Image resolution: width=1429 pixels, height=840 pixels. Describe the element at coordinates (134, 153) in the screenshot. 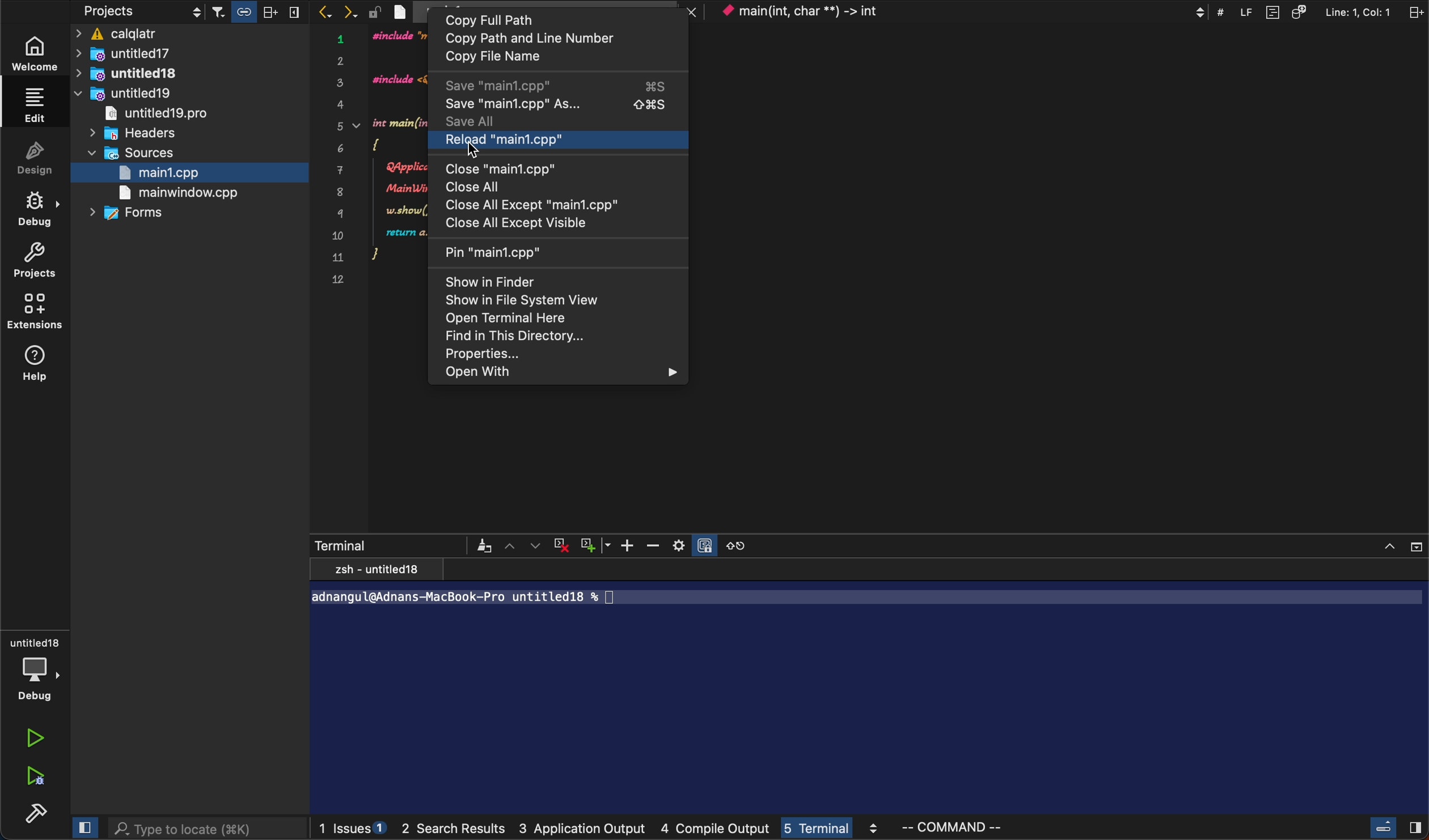

I see `sources` at that location.